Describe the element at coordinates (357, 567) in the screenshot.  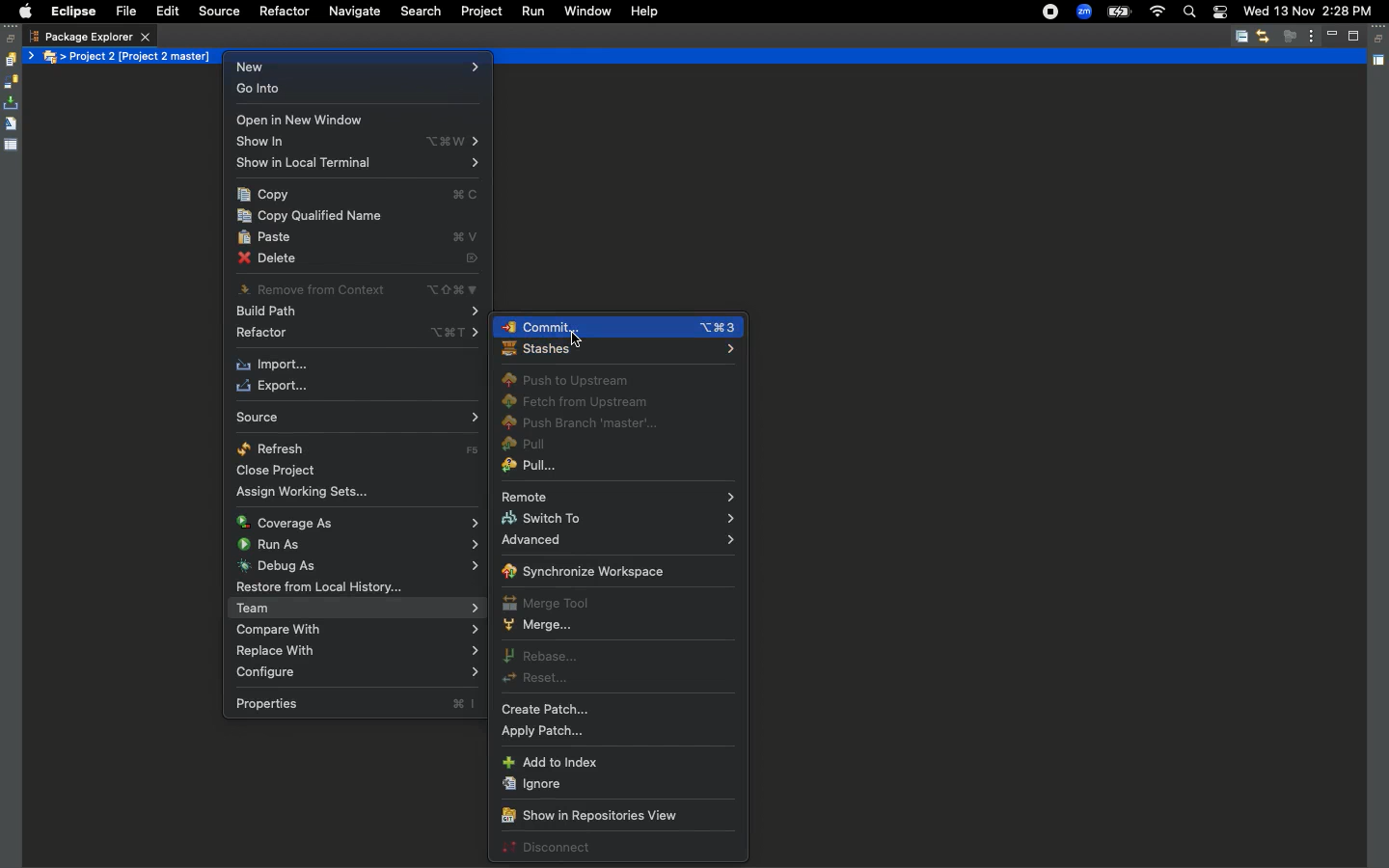
I see `Debug as` at that location.